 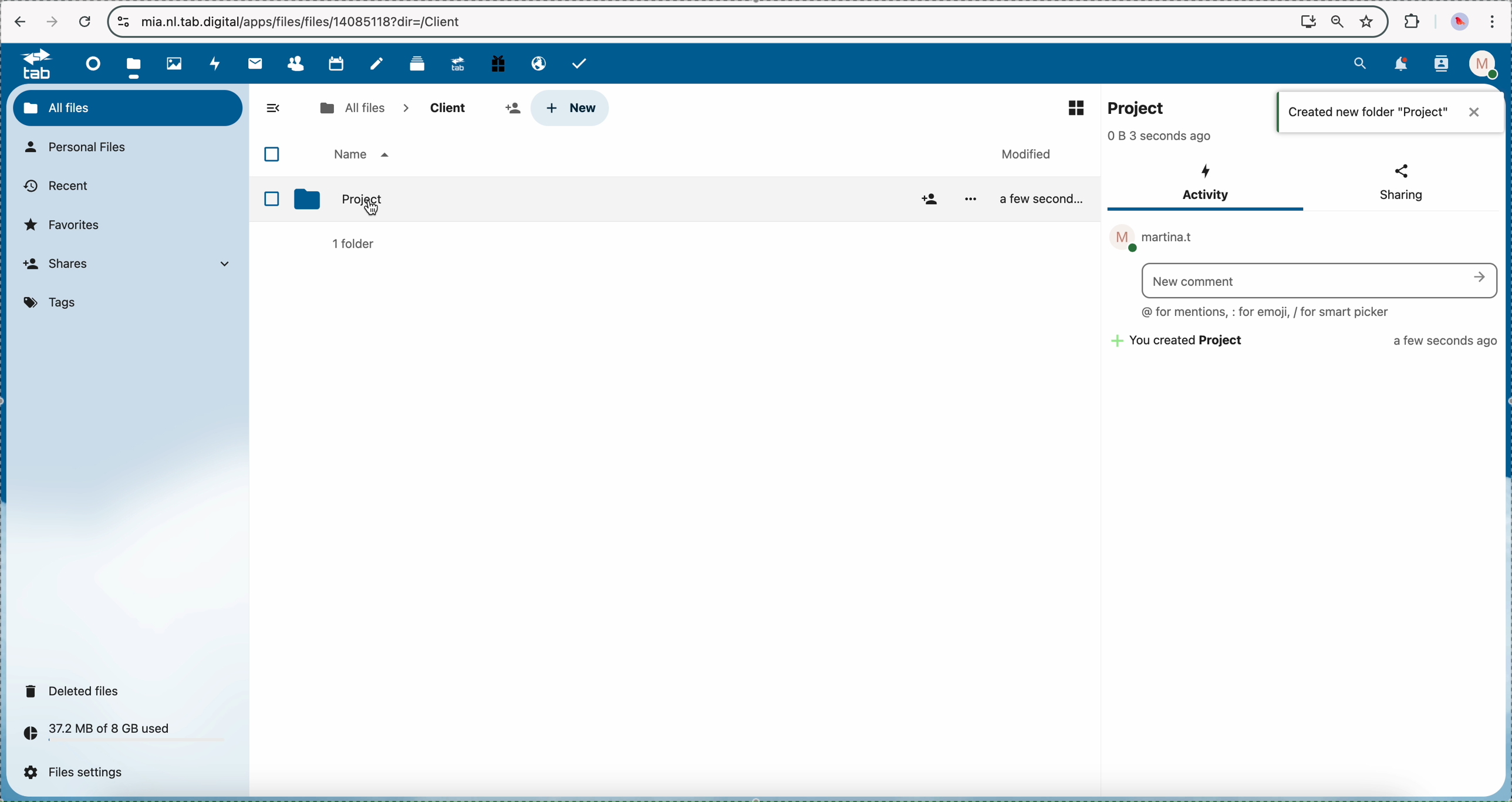 What do you see at coordinates (1405, 181) in the screenshot?
I see `<
Sharing` at bounding box center [1405, 181].